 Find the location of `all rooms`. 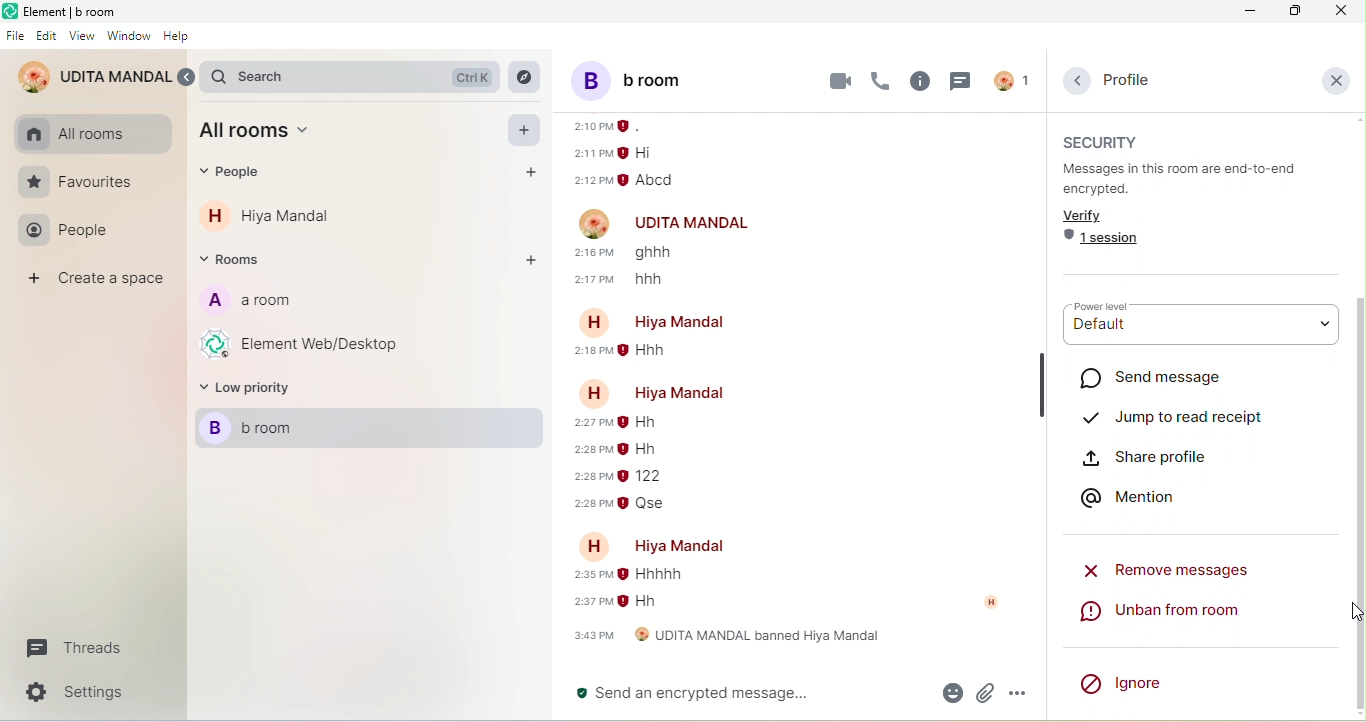

all rooms is located at coordinates (76, 134).